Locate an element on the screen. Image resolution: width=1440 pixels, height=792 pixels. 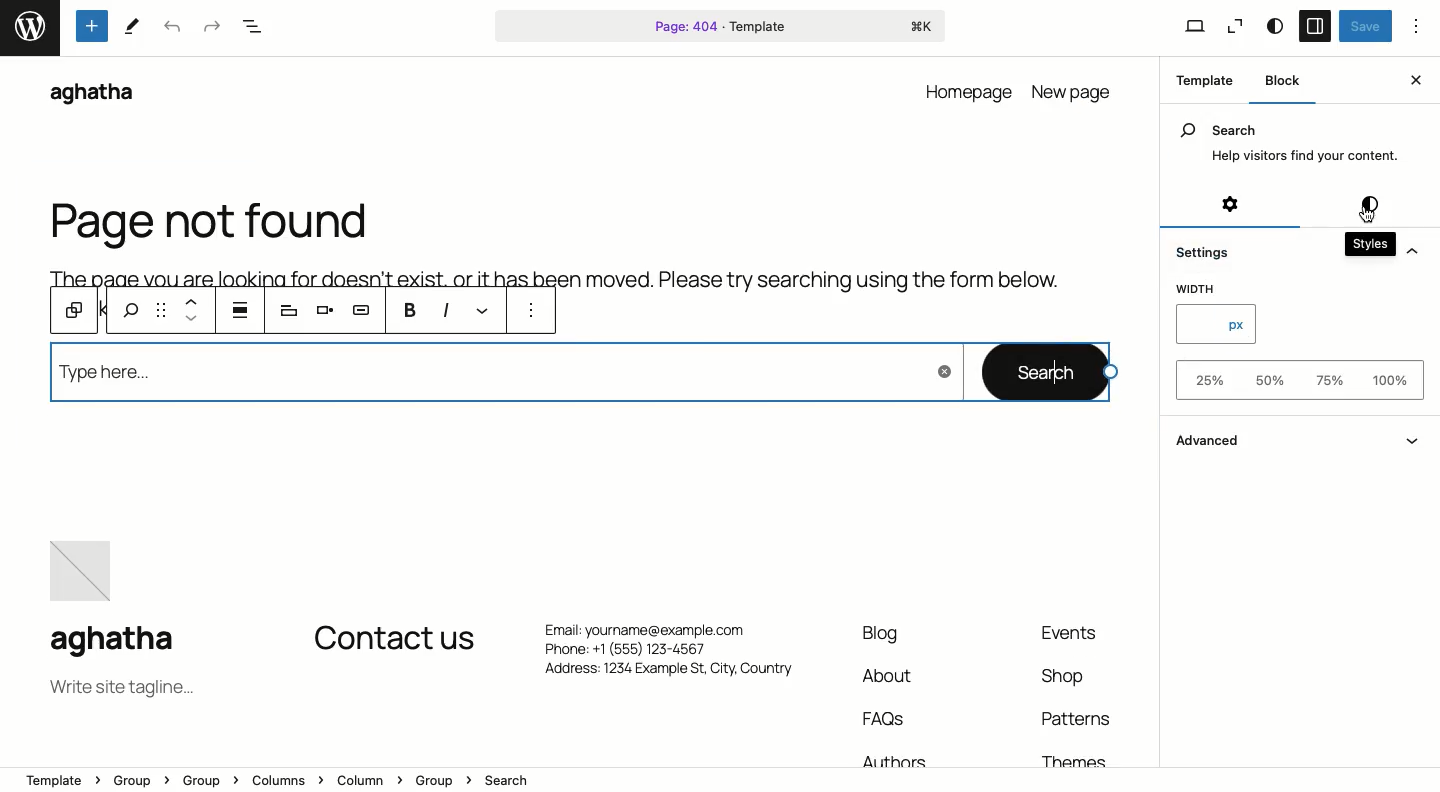
Drag is located at coordinates (160, 308).